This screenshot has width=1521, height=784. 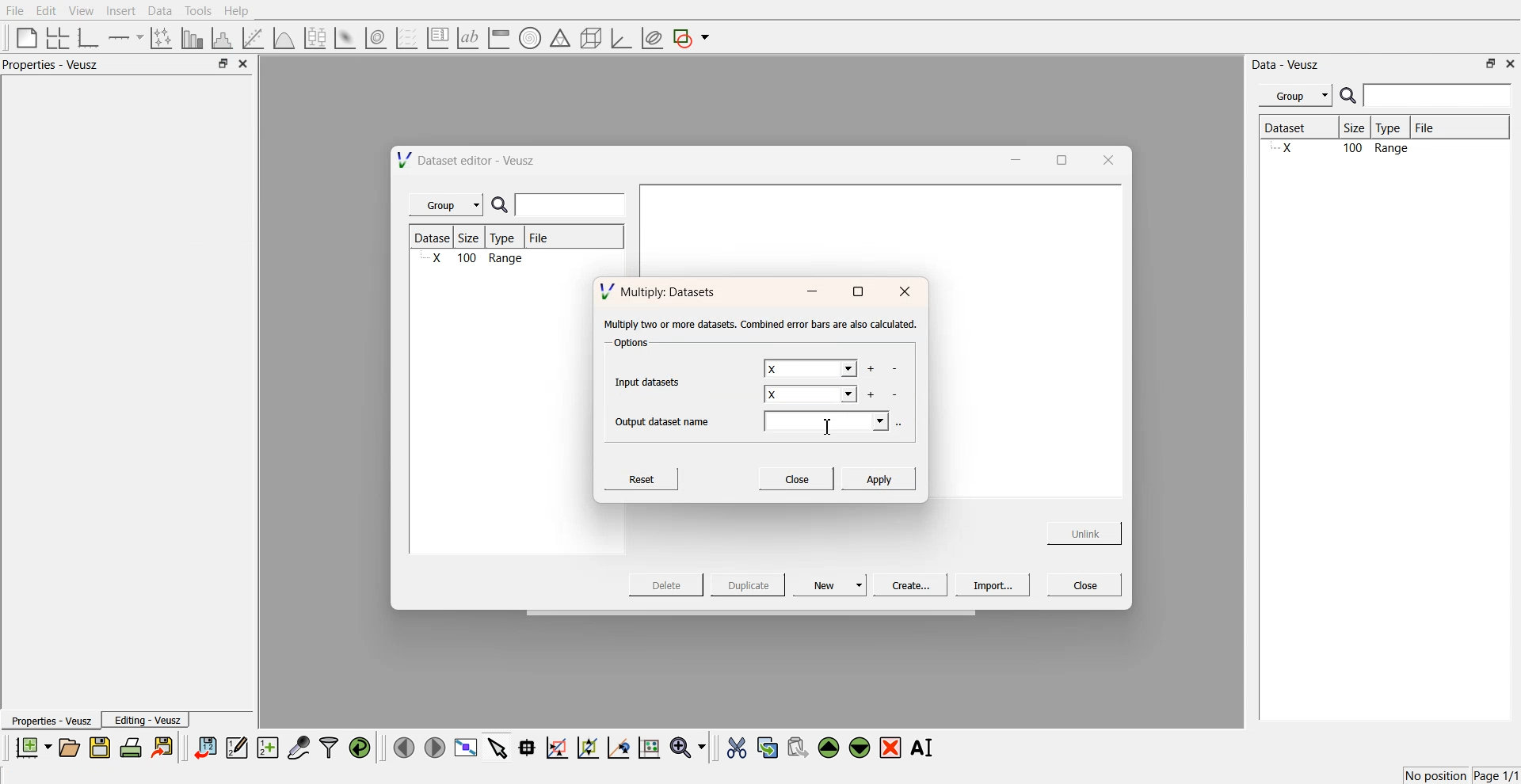 I want to click on polar graph, so click(x=529, y=40).